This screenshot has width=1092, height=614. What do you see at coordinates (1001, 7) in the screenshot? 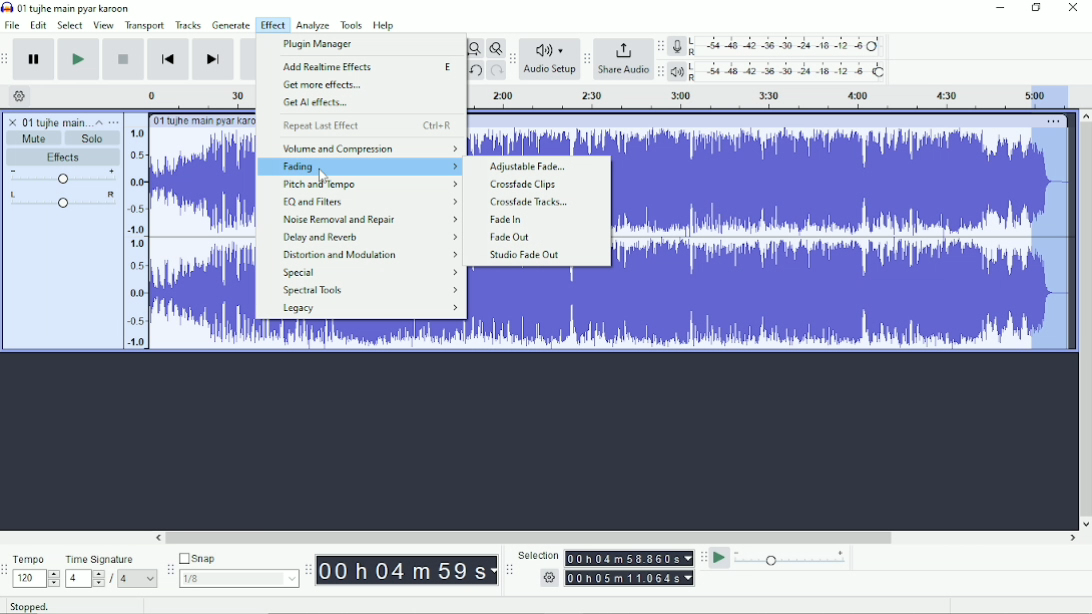
I see `Minimize` at bounding box center [1001, 7].